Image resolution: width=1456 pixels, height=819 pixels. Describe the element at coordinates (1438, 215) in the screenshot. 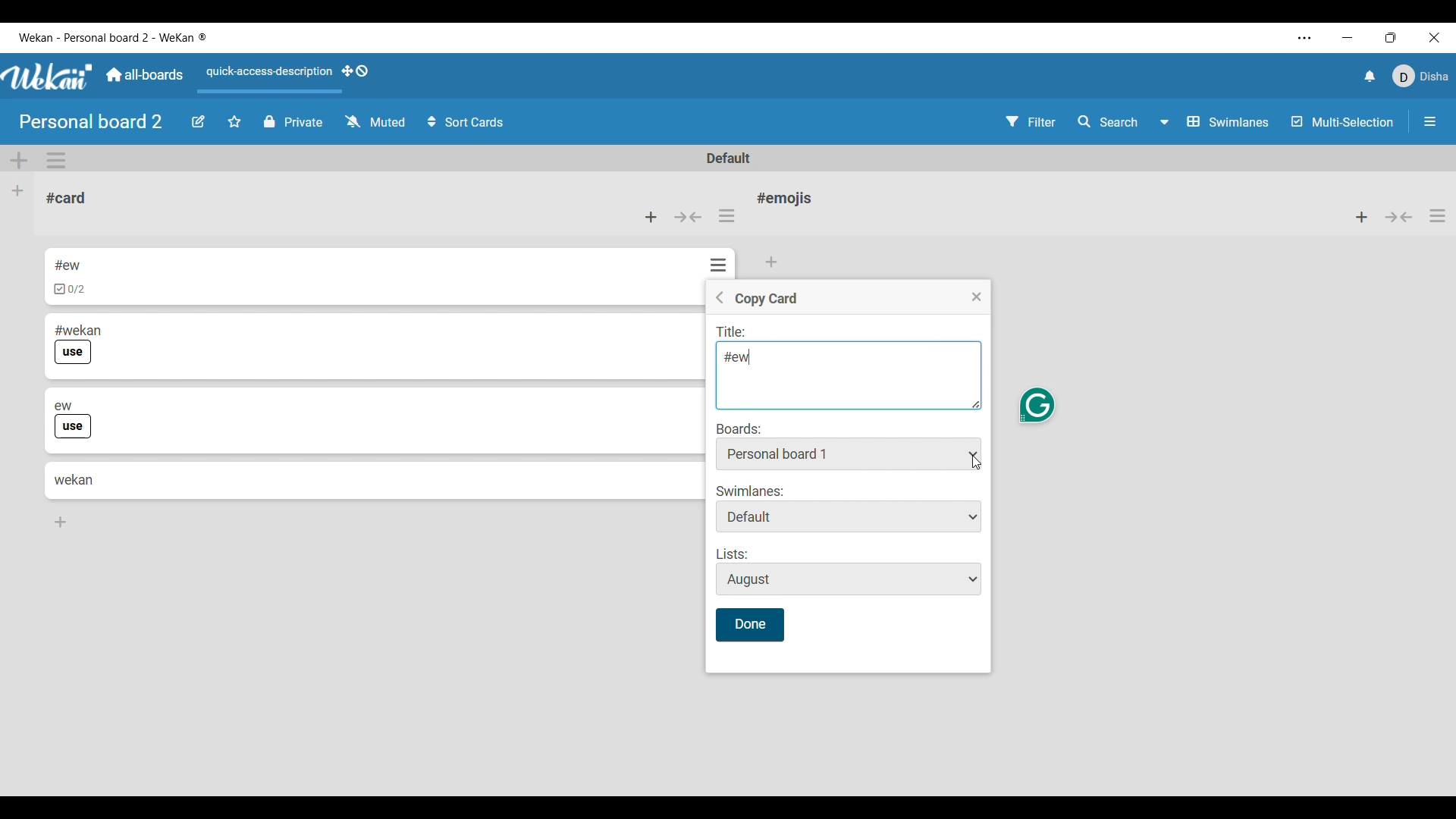

I see `List actions` at that location.